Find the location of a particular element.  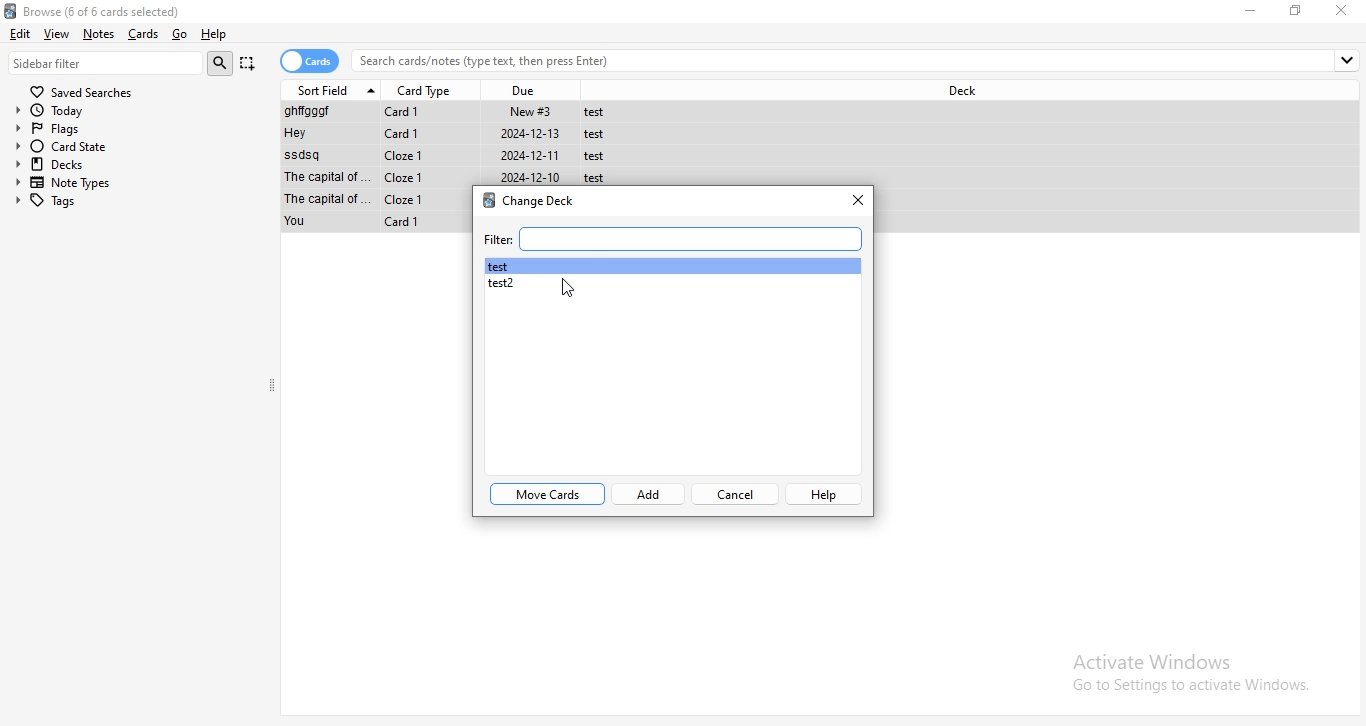

card state is located at coordinates (134, 147).